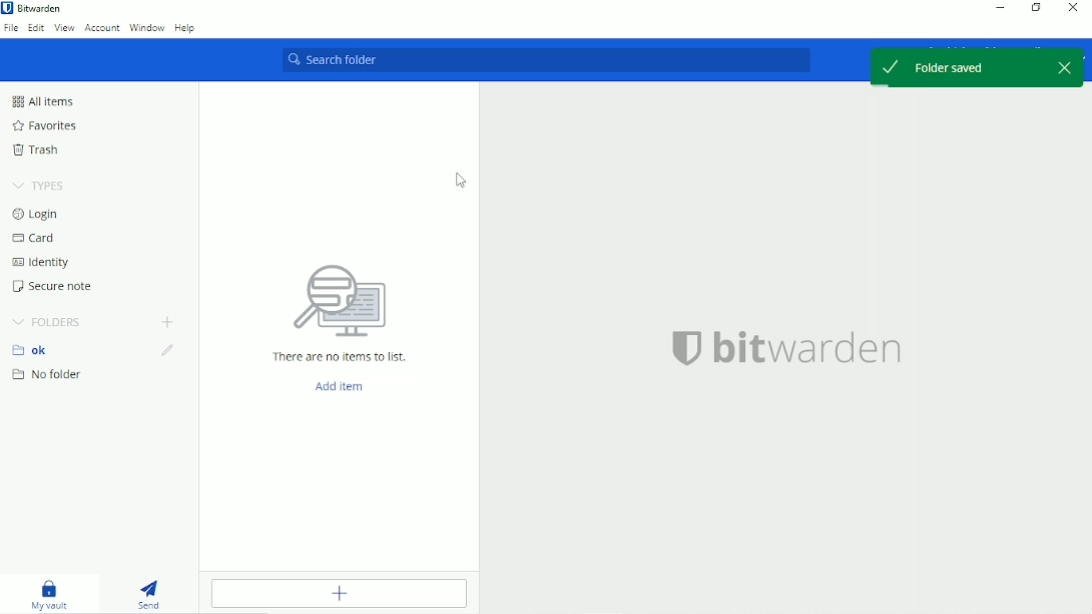  Describe the element at coordinates (41, 262) in the screenshot. I see `Identity` at that location.